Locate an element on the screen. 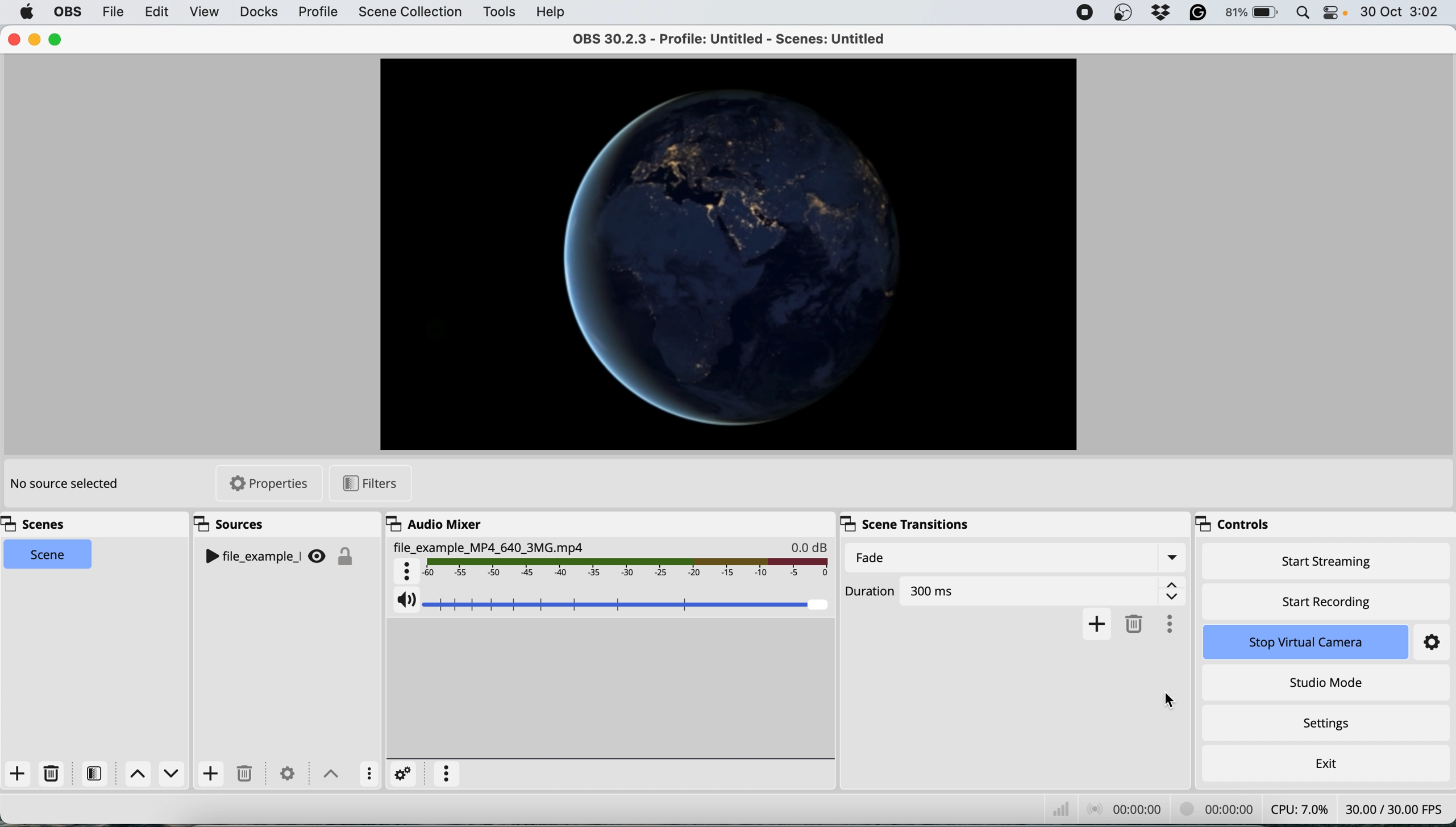  grammarly is located at coordinates (1197, 14).